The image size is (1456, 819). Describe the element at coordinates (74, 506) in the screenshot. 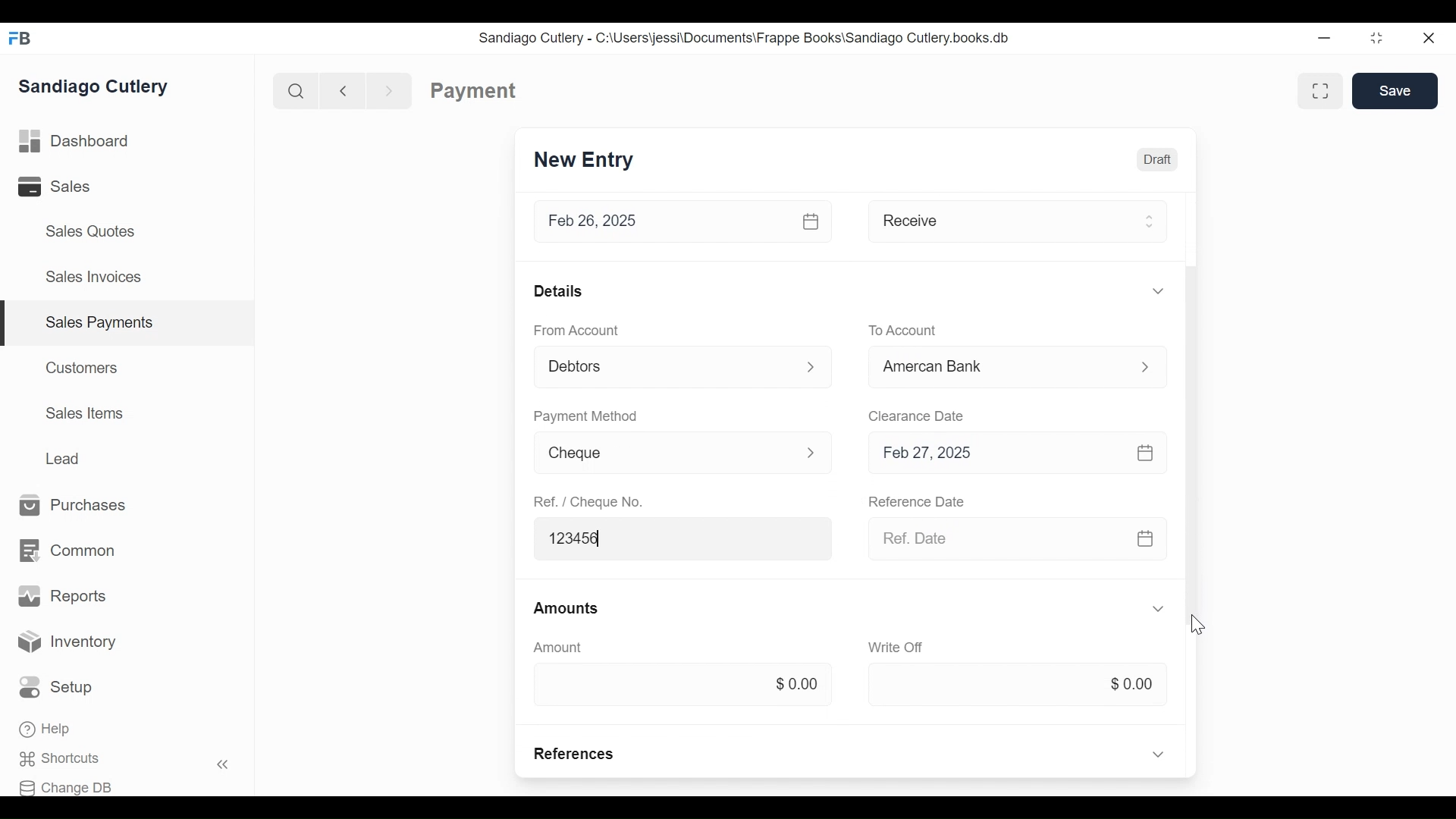

I see `Purchases` at that location.